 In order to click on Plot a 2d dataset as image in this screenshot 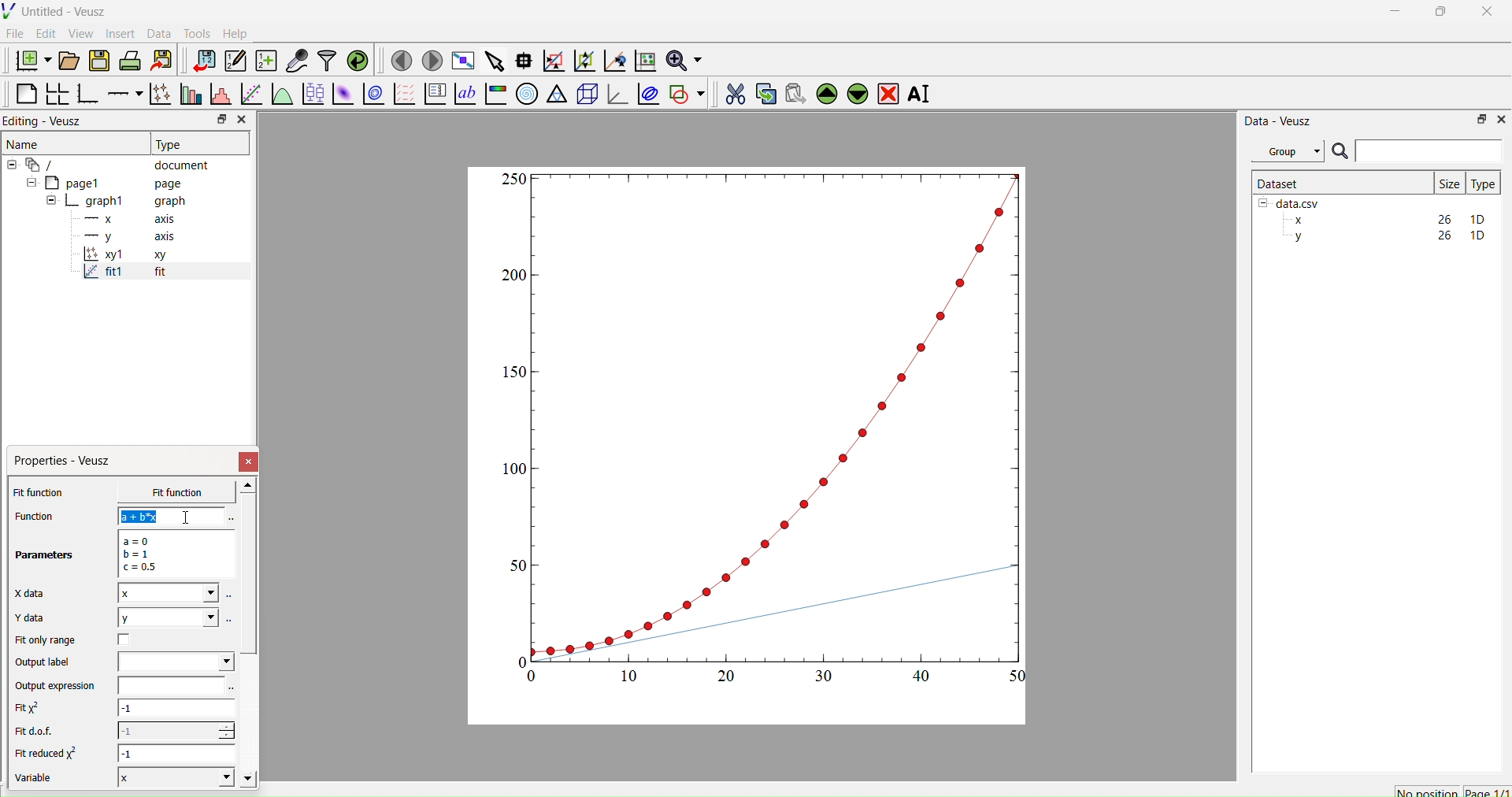, I will do `click(342, 94)`.